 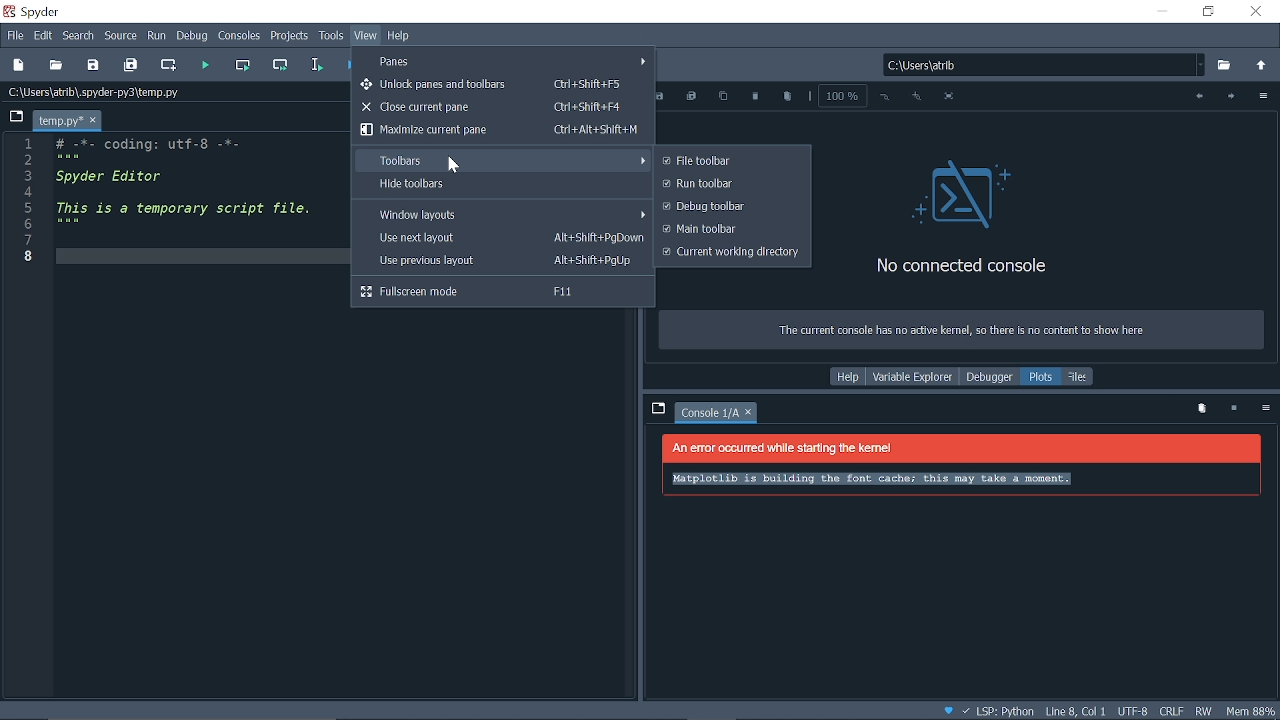 I want to click on Run current cell and go to next , so click(x=283, y=65).